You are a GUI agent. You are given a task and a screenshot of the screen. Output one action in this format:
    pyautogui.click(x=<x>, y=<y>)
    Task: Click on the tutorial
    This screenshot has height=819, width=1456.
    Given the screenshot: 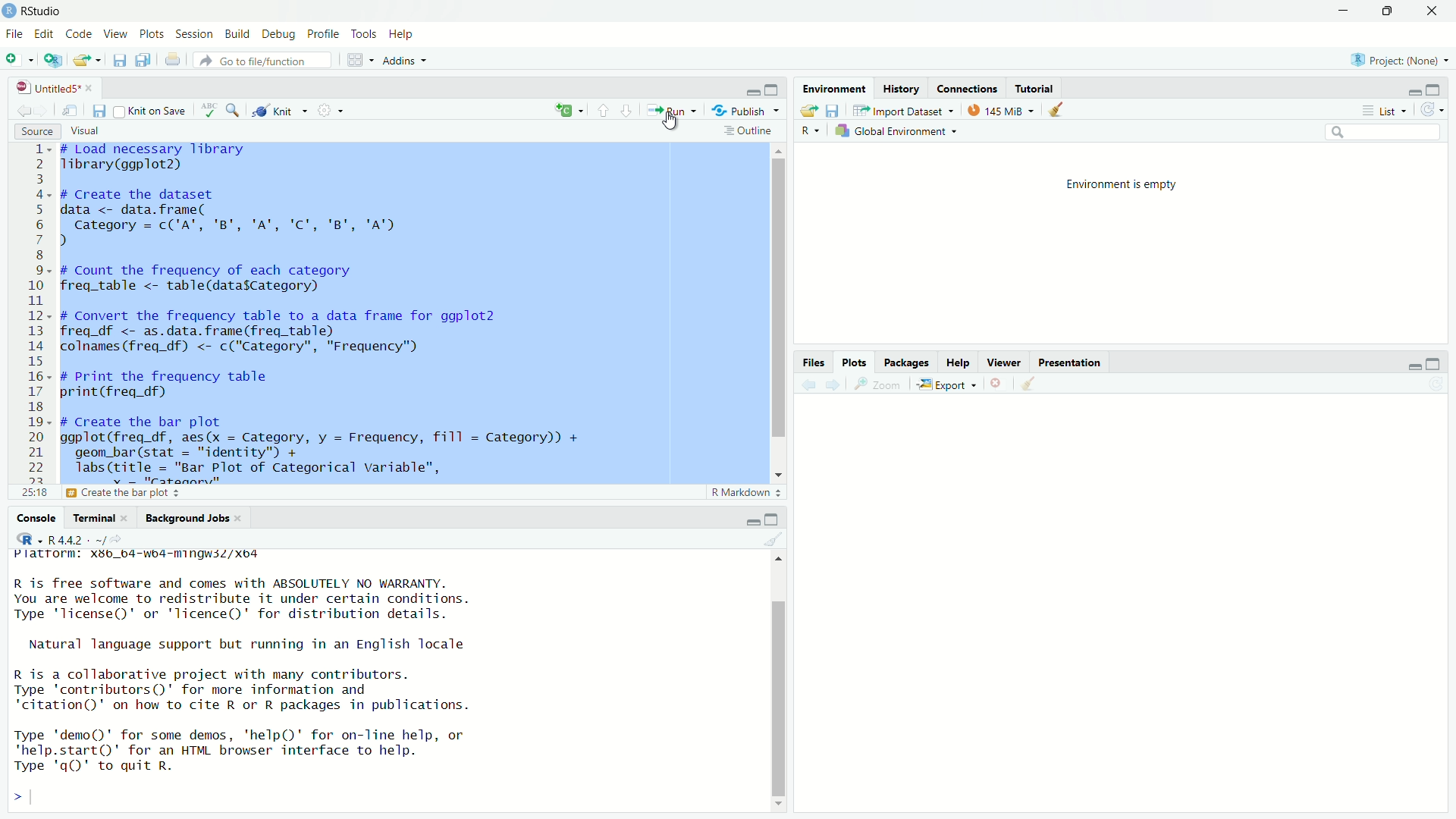 What is the action you would take?
    pyautogui.click(x=1035, y=88)
    